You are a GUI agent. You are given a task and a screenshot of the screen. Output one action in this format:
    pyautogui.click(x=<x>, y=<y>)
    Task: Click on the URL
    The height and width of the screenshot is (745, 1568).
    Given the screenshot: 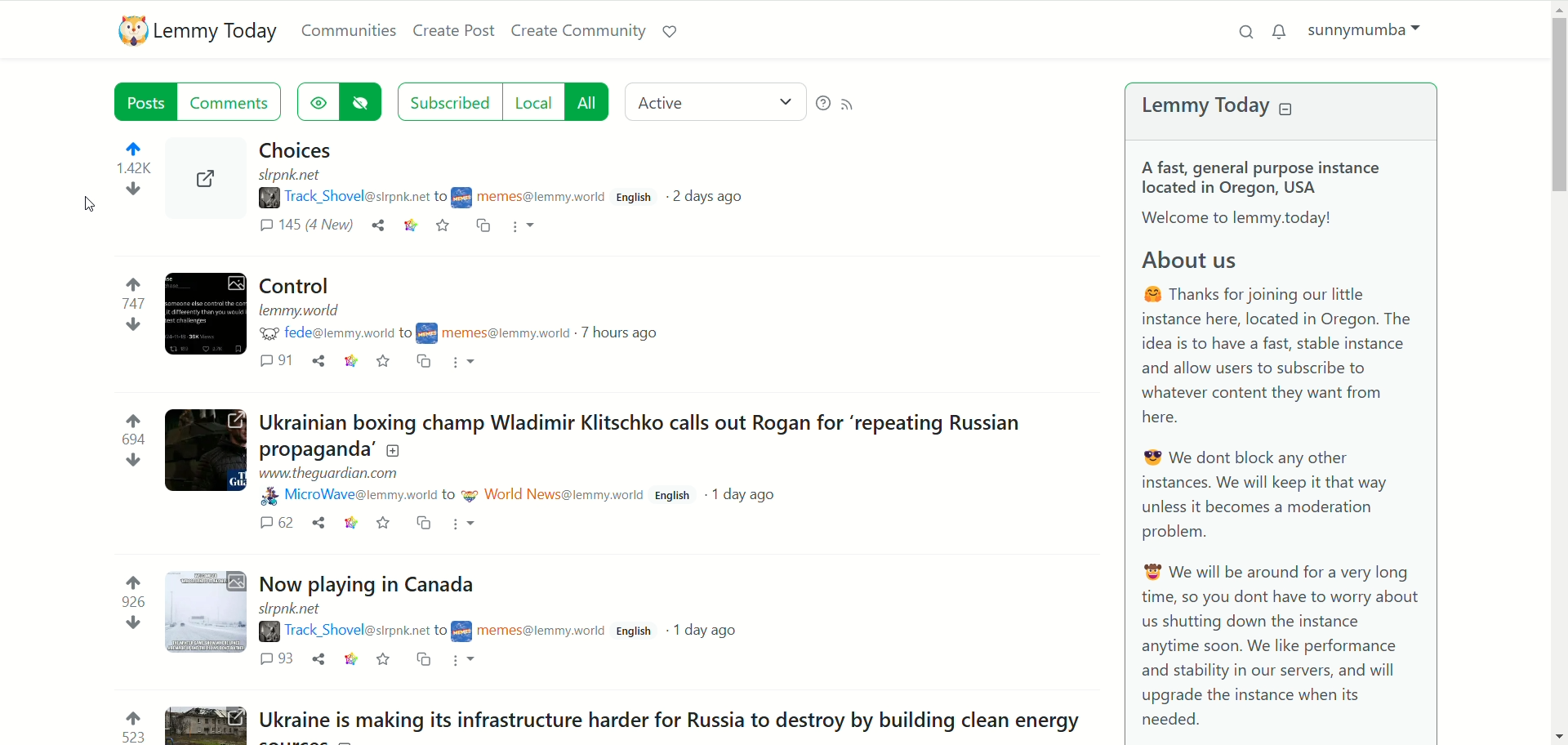 What is the action you would take?
    pyautogui.click(x=301, y=310)
    